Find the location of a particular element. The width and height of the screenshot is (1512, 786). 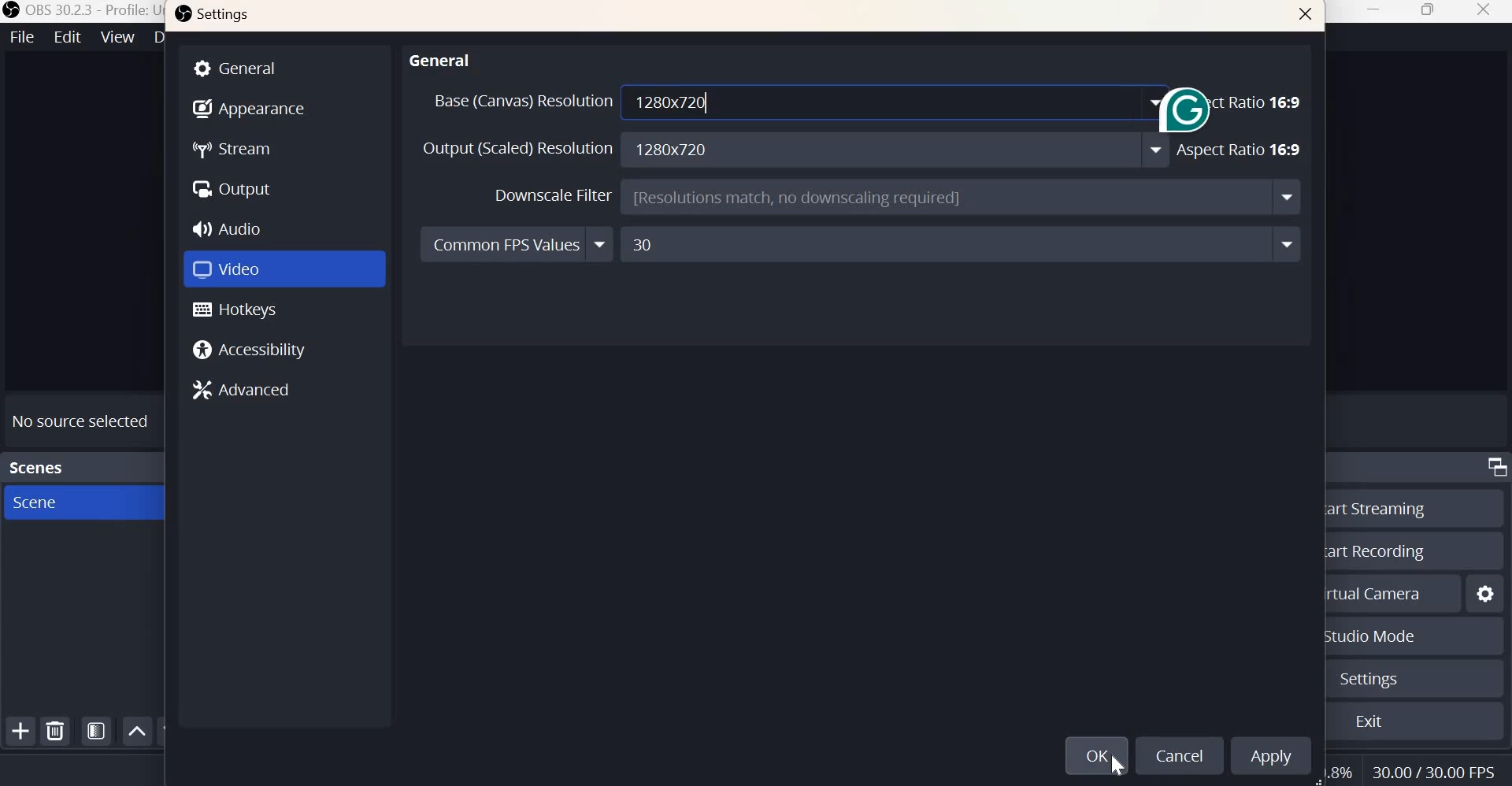

grammarly is located at coordinates (1184, 124).